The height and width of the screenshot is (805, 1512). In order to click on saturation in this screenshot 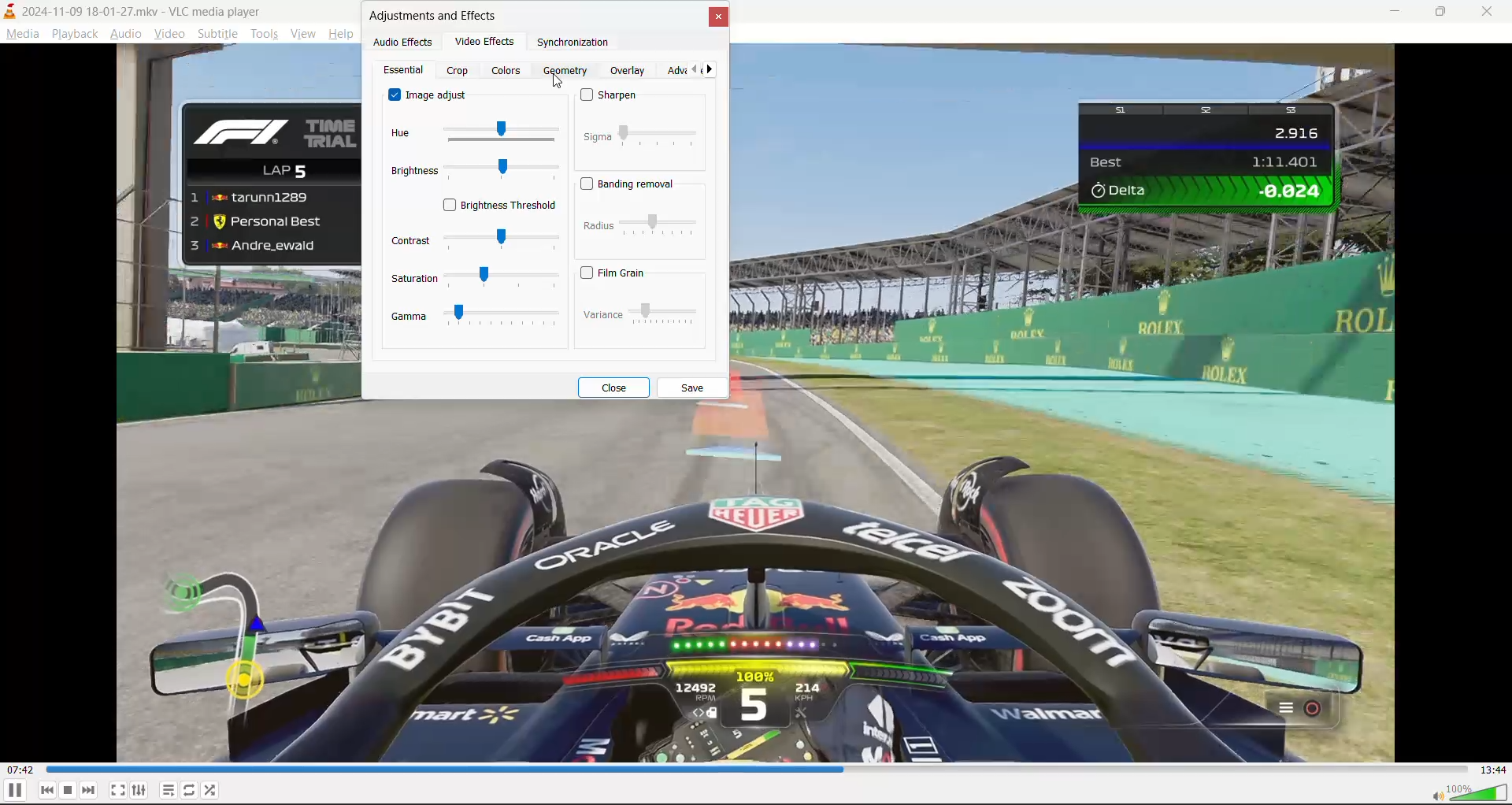, I will do `click(474, 278)`.